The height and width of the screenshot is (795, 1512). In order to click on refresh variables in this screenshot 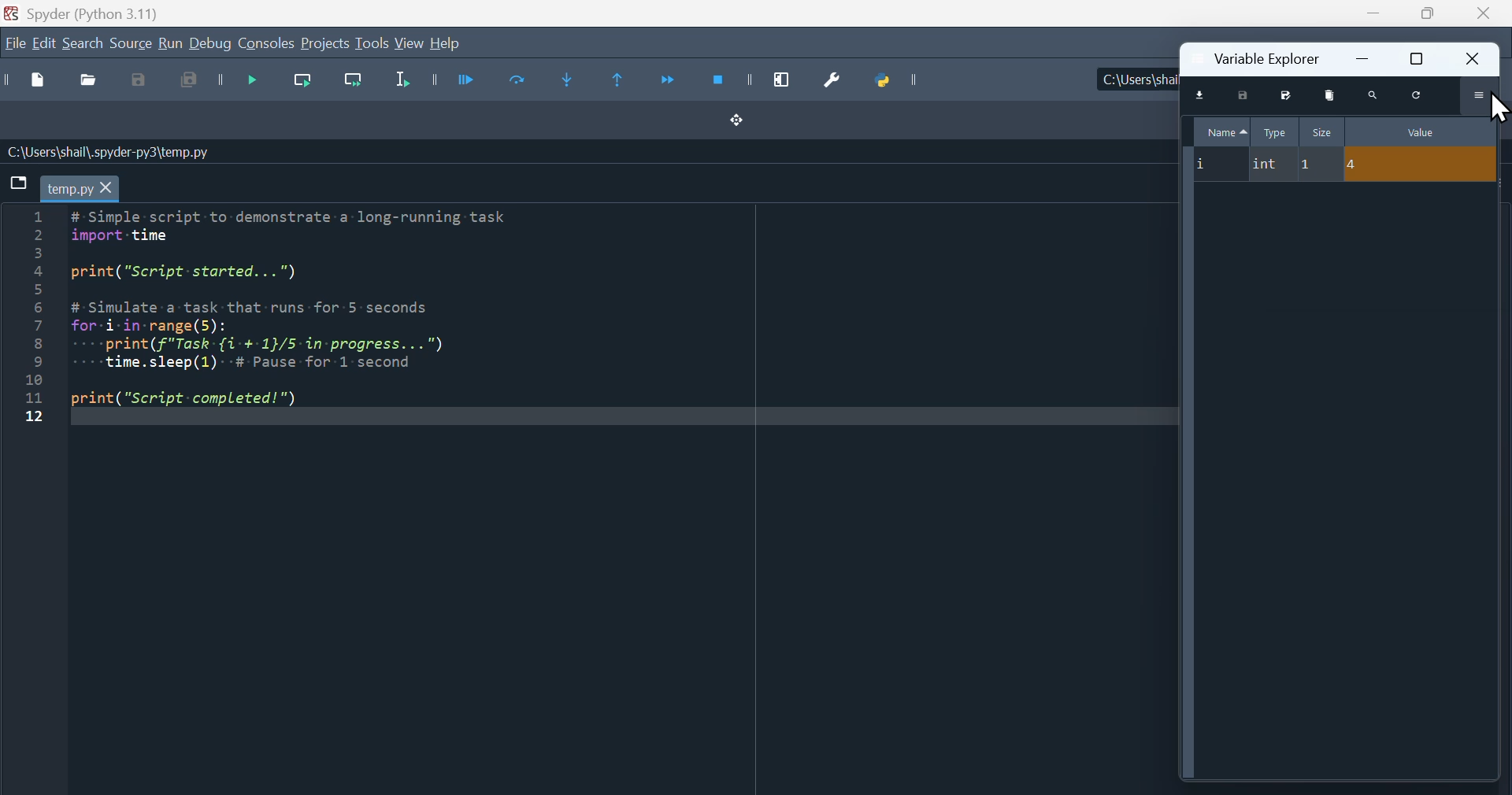, I will do `click(1419, 94)`.